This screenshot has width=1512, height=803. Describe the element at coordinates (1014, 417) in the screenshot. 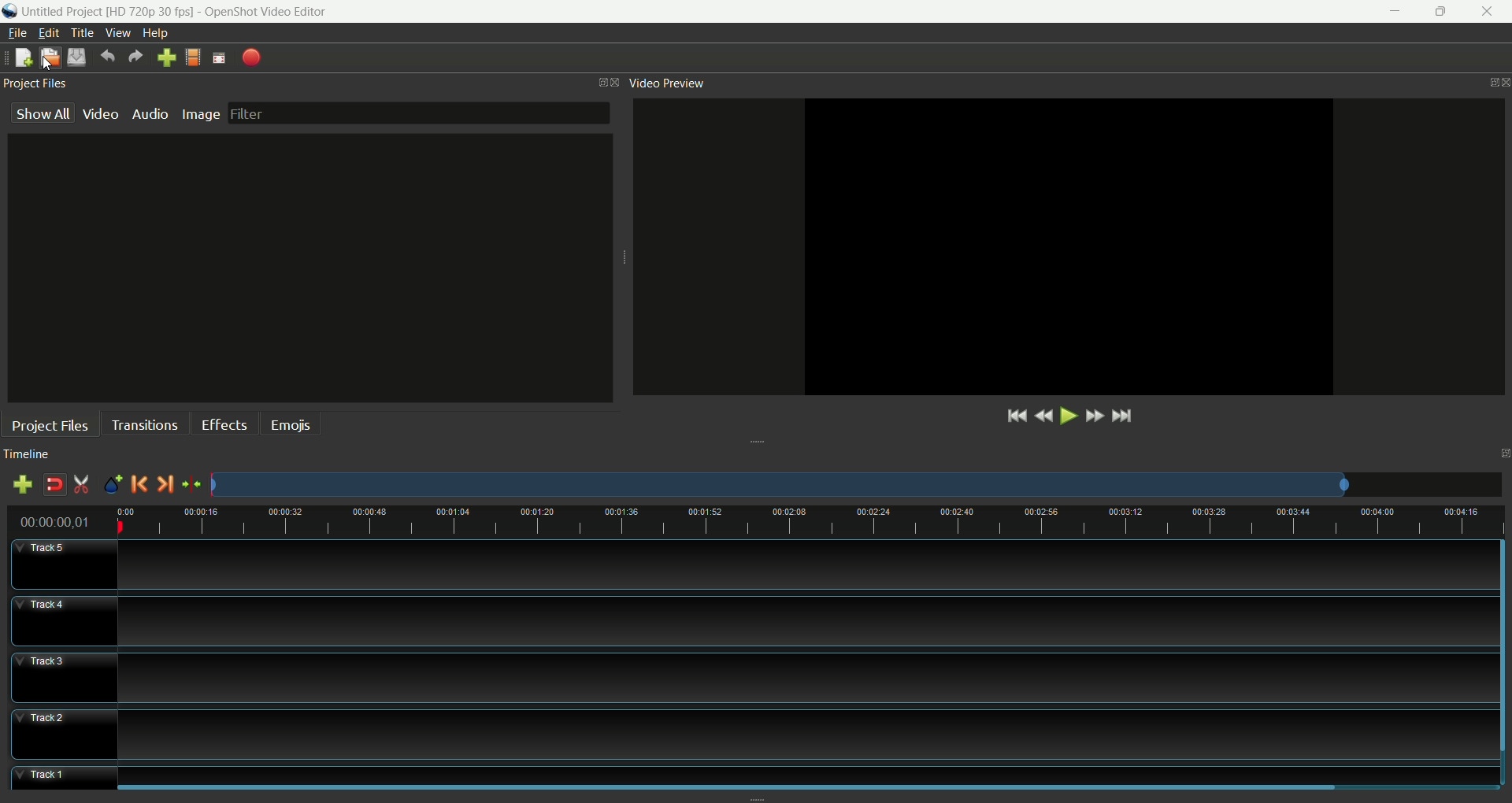

I see `jump to start` at that location.